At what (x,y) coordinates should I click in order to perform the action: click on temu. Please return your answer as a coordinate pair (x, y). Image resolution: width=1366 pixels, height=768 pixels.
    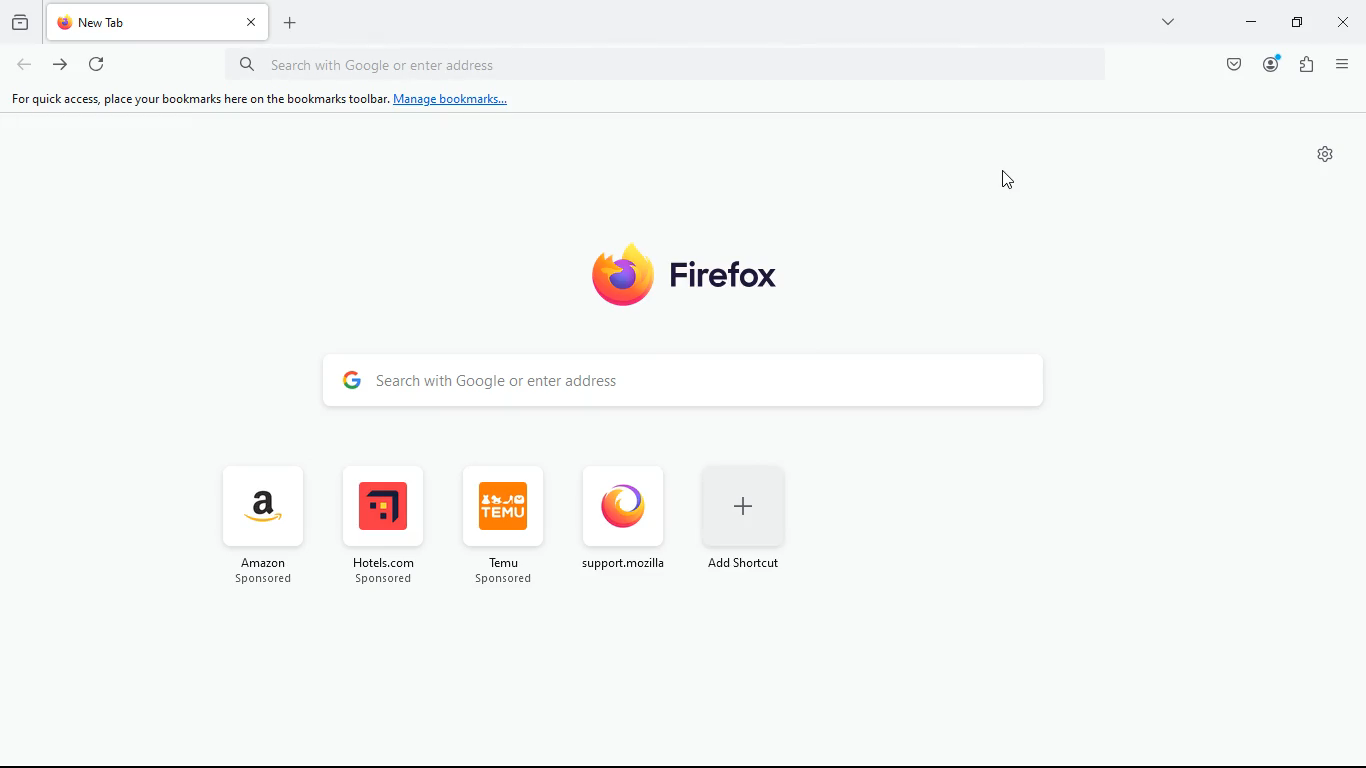
    Looking at the image, I should click on (499, 527).